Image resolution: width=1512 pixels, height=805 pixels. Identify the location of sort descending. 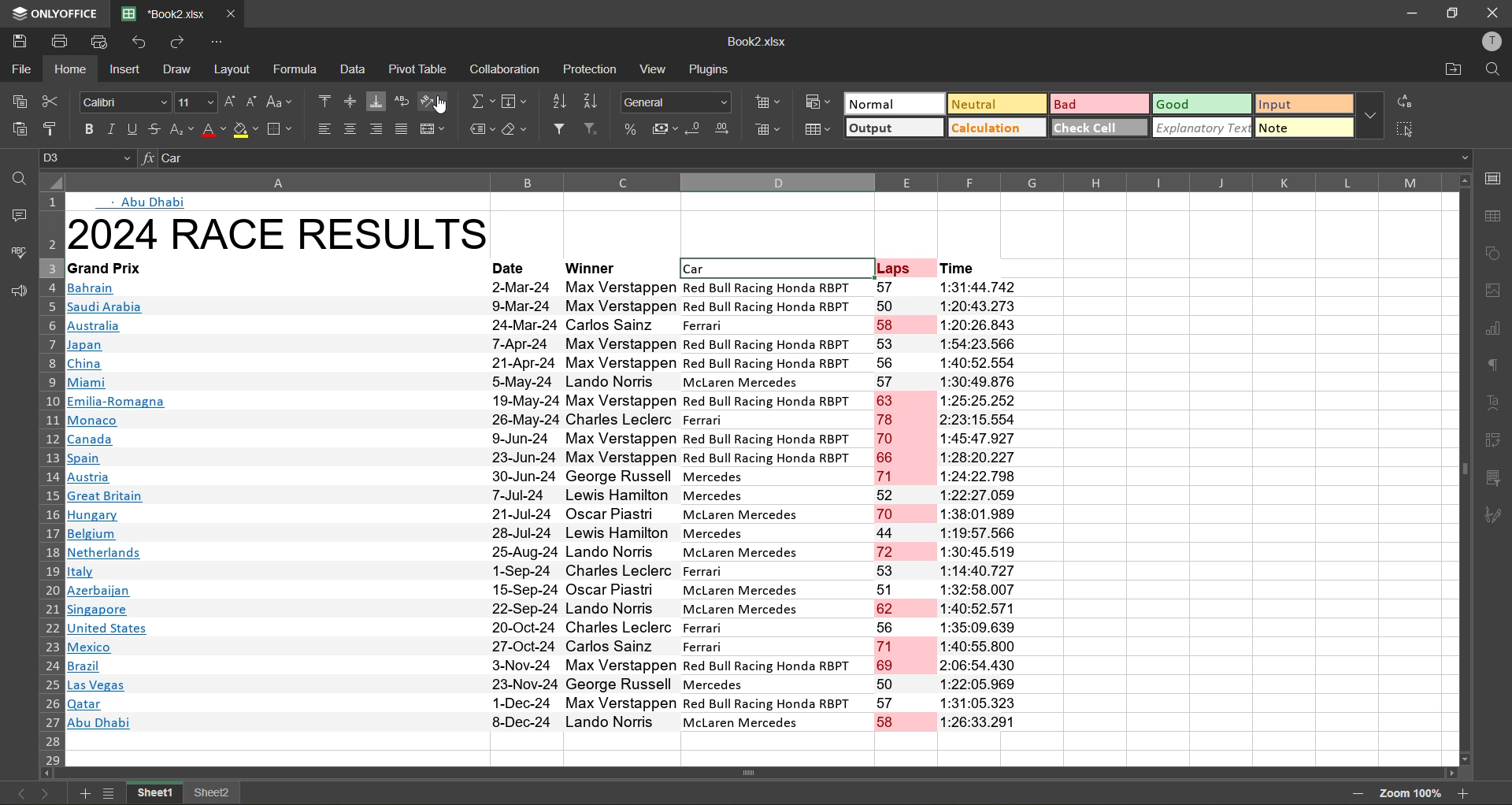
(595, 102).